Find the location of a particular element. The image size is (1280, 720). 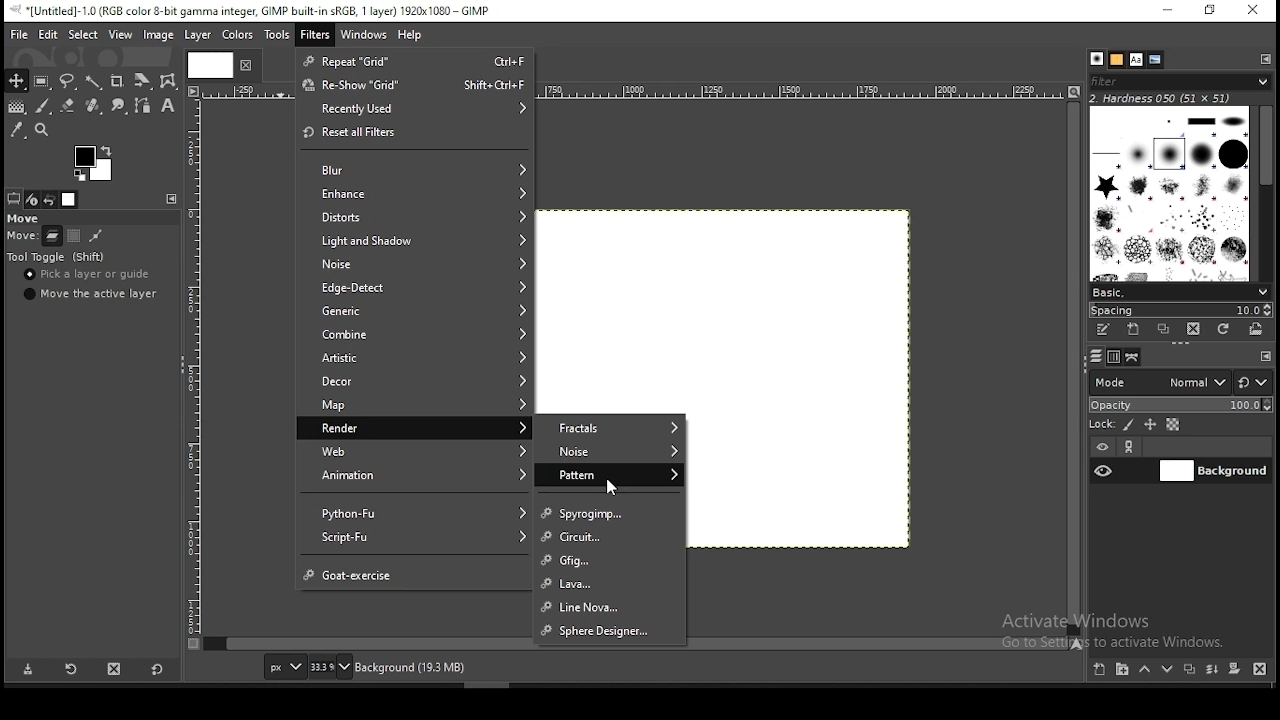

spacing is located at coordinates (1183, 312).